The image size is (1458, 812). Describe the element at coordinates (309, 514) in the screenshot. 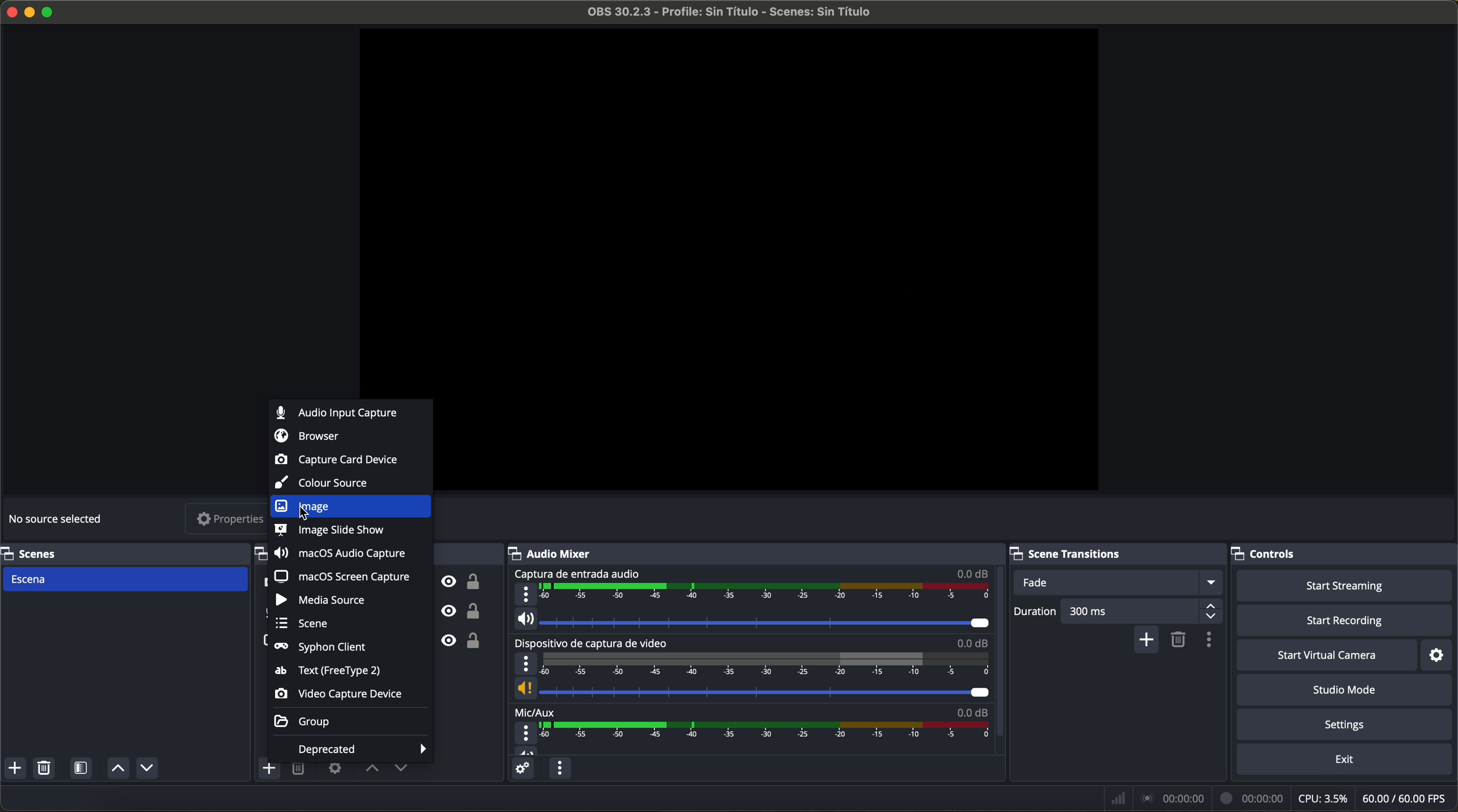

I see `cursor` at that location.